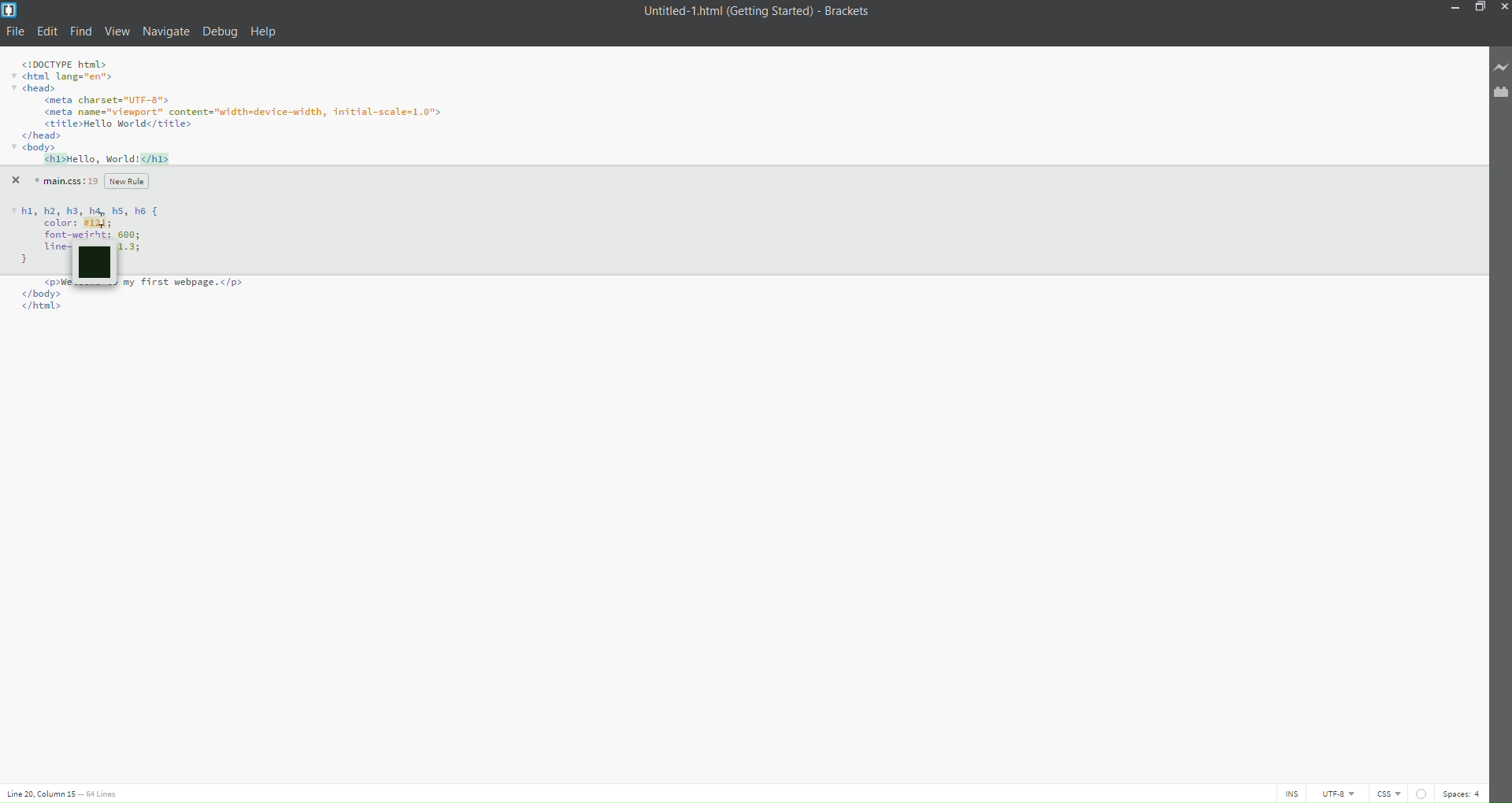 The height and width of the screenshot is (803, 1512). What do you see at coordinates (134, 316) in the screenshot?
I see `Code` at bounding box center [134, 316].